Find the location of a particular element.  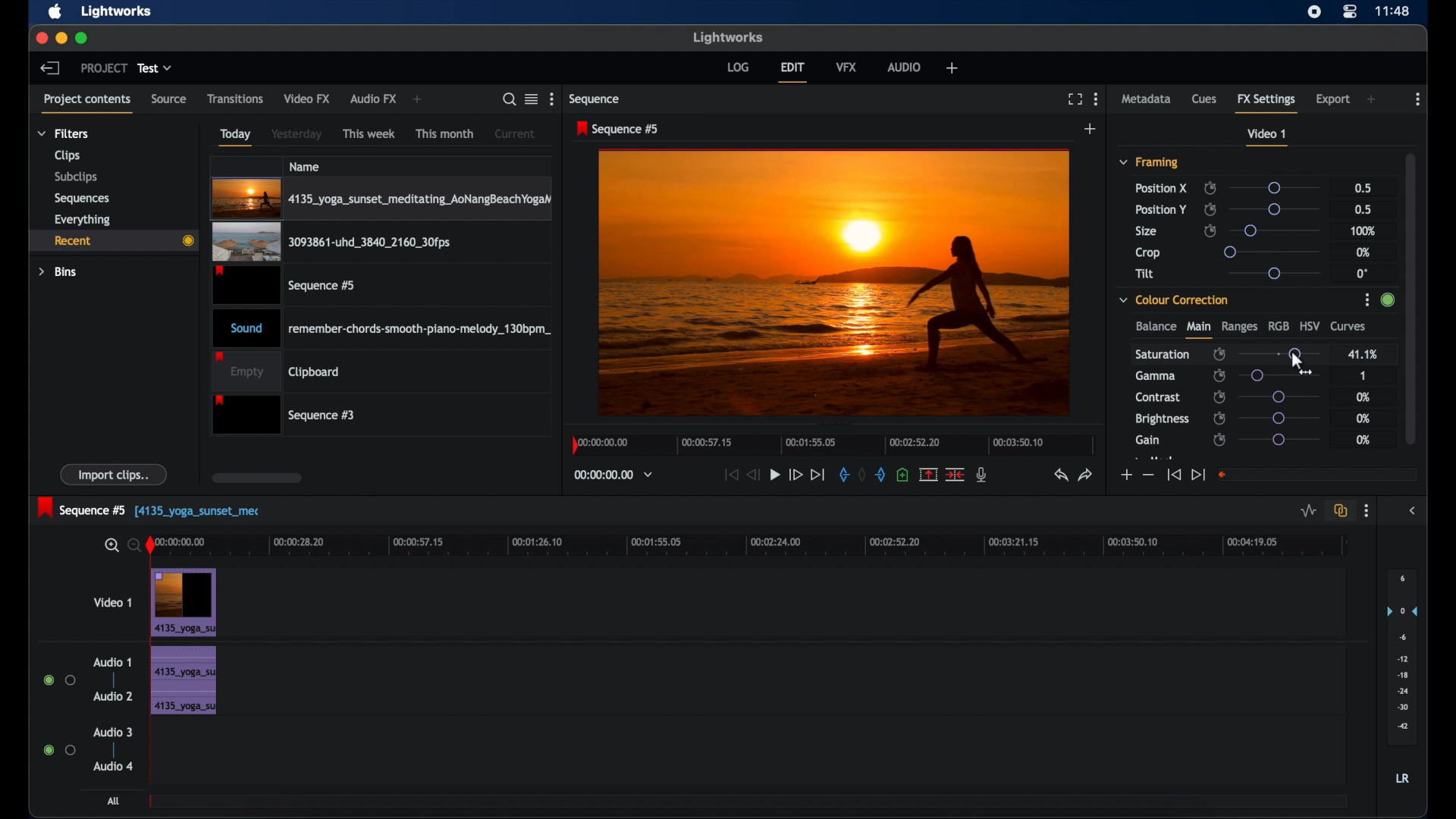

add is located at coordinates (1090, 129).